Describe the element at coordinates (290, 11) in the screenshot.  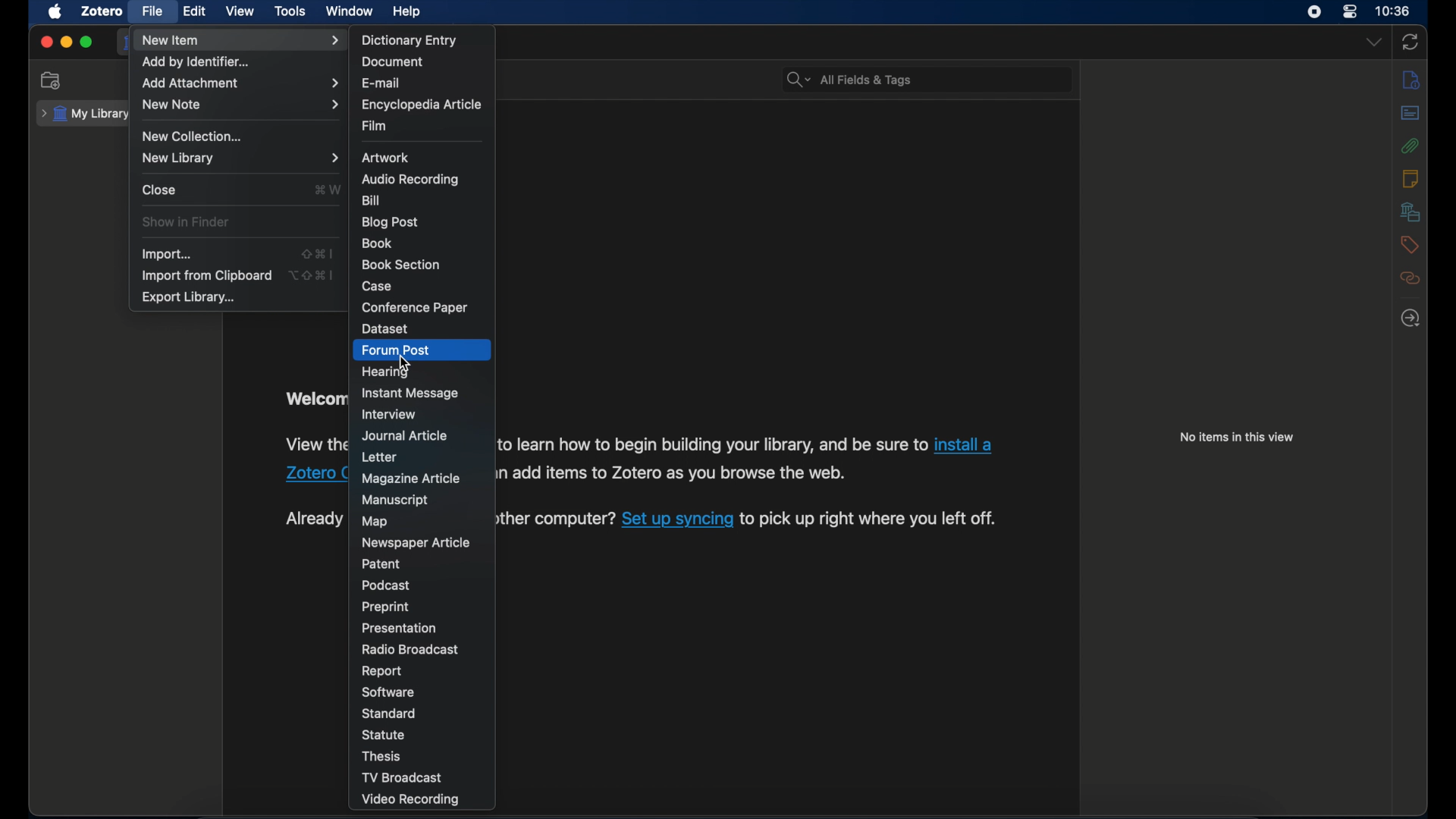
I see `tools` at that location.